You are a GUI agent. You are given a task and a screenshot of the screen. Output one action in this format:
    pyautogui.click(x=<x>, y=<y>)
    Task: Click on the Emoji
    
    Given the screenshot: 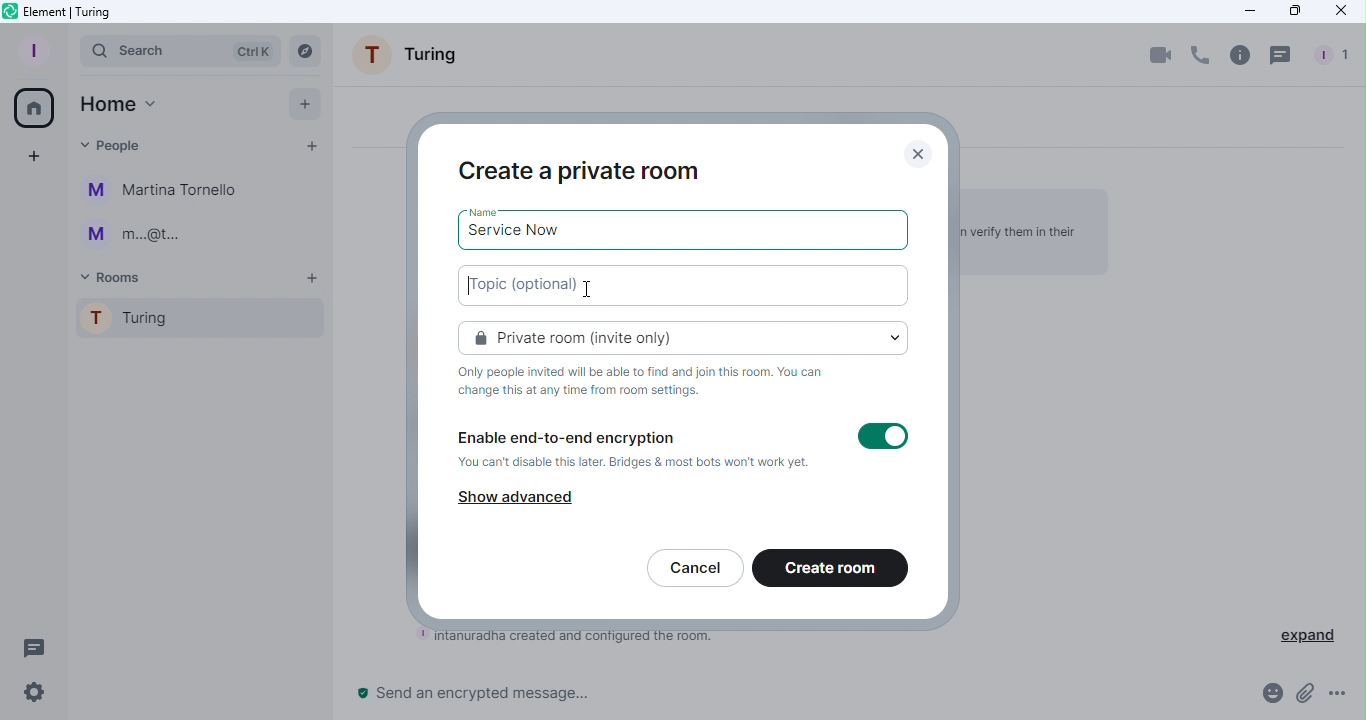 What is the action you would take?
    pyautogui.click(x=1268, y=697)
    